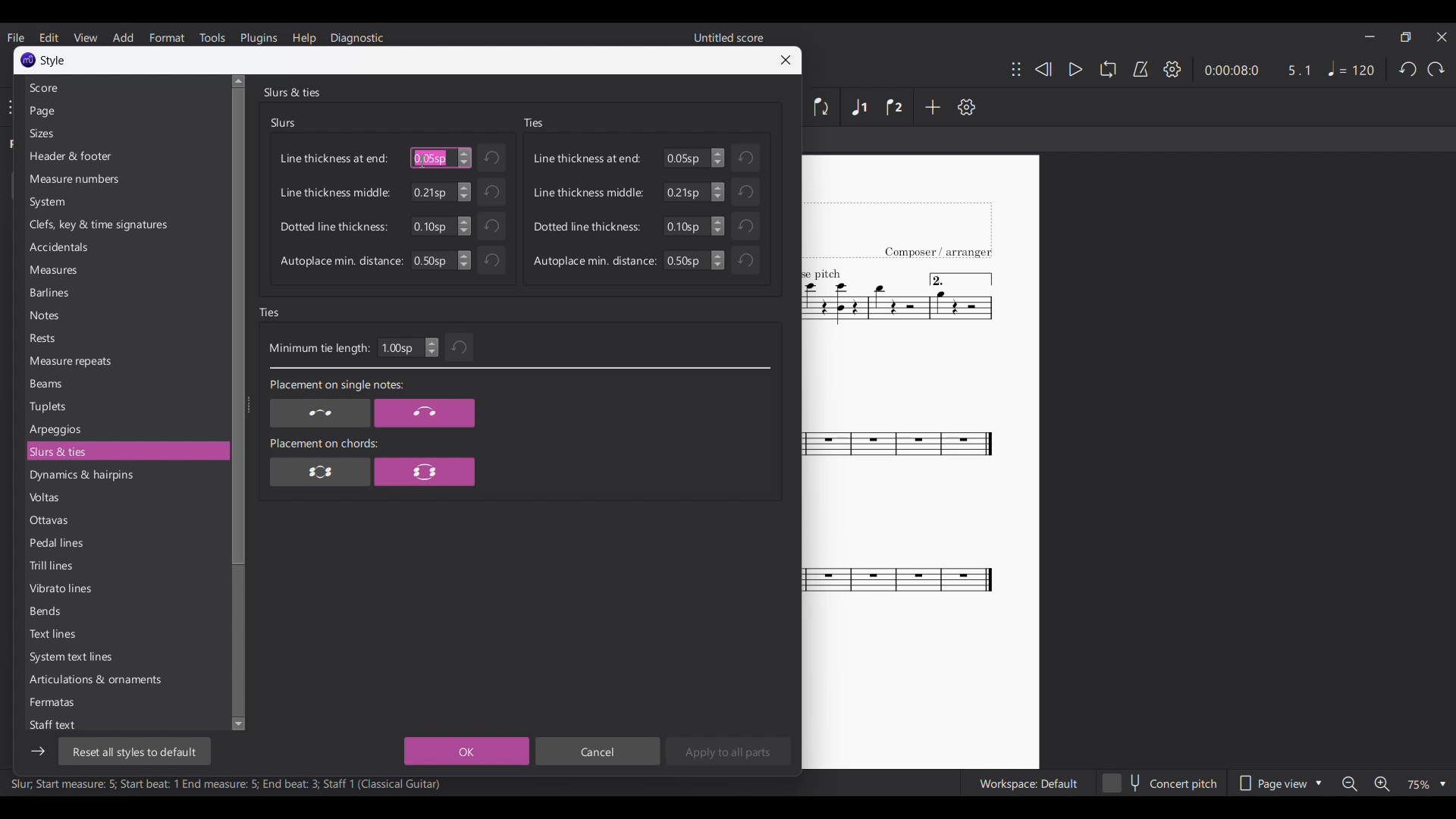  What do you see at coordinates (933, 107) in the screenshot?
I see `Add` at bounding box center [933, 107].